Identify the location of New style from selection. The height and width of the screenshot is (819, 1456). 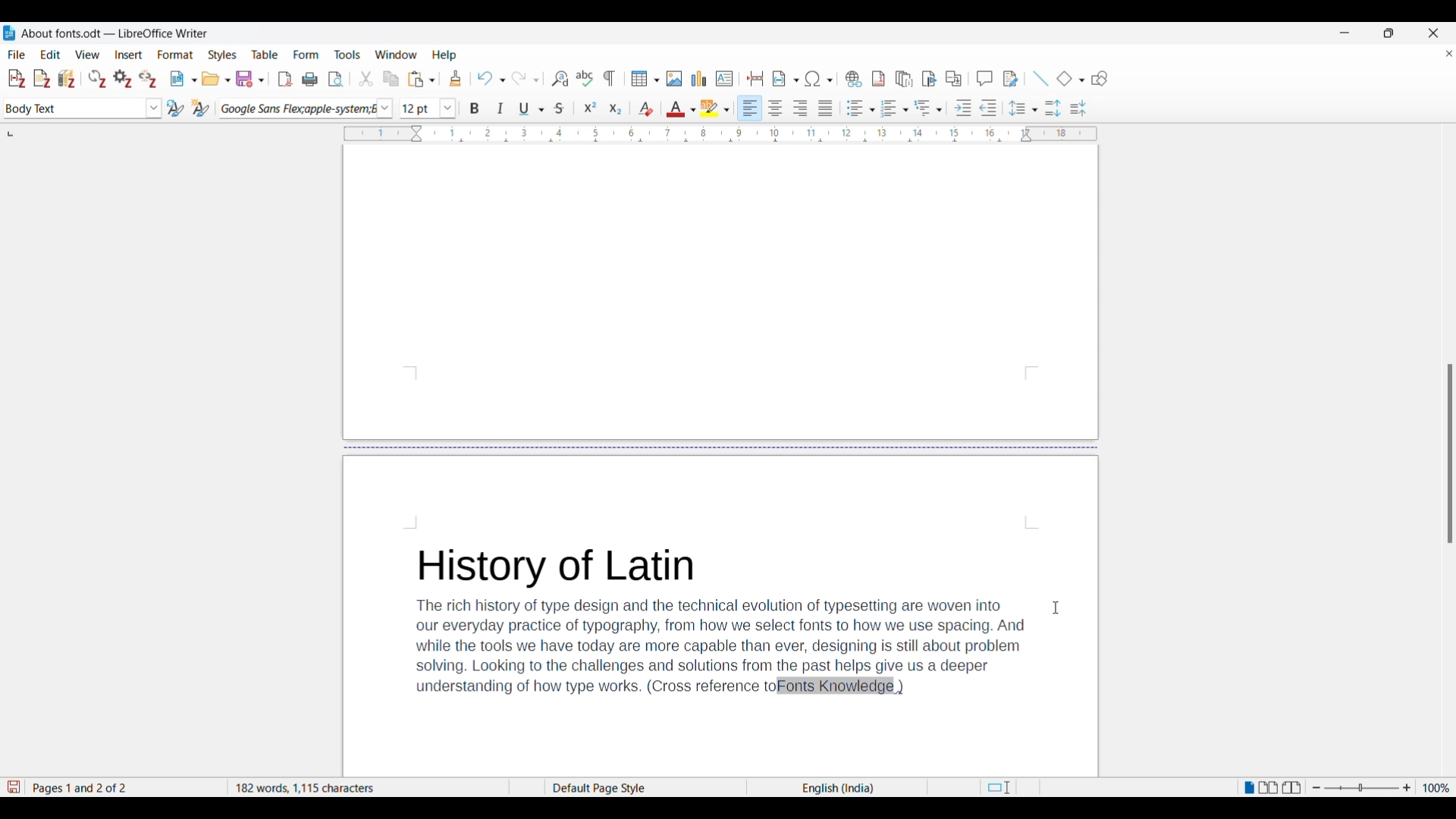
(201, 108).